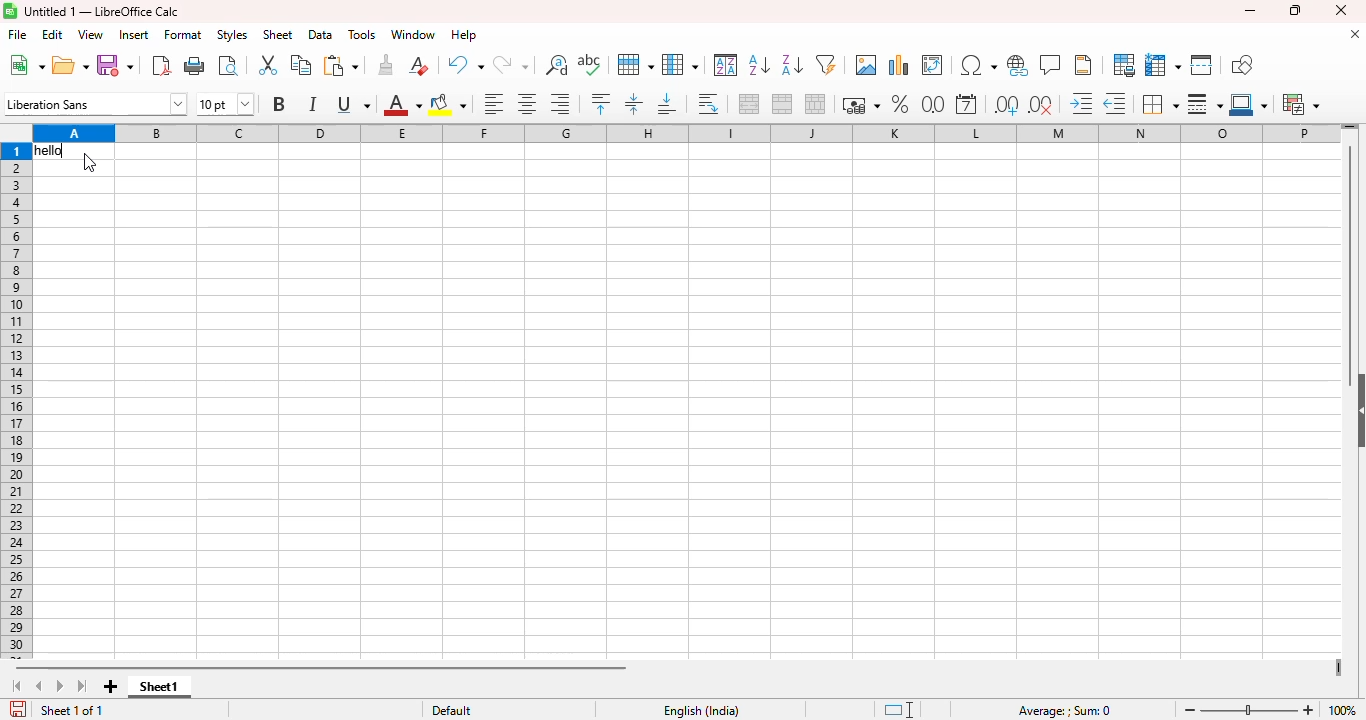 The height and width of the screenshot is (720, 1366). I want to click on minimize, so click(1250, 10).